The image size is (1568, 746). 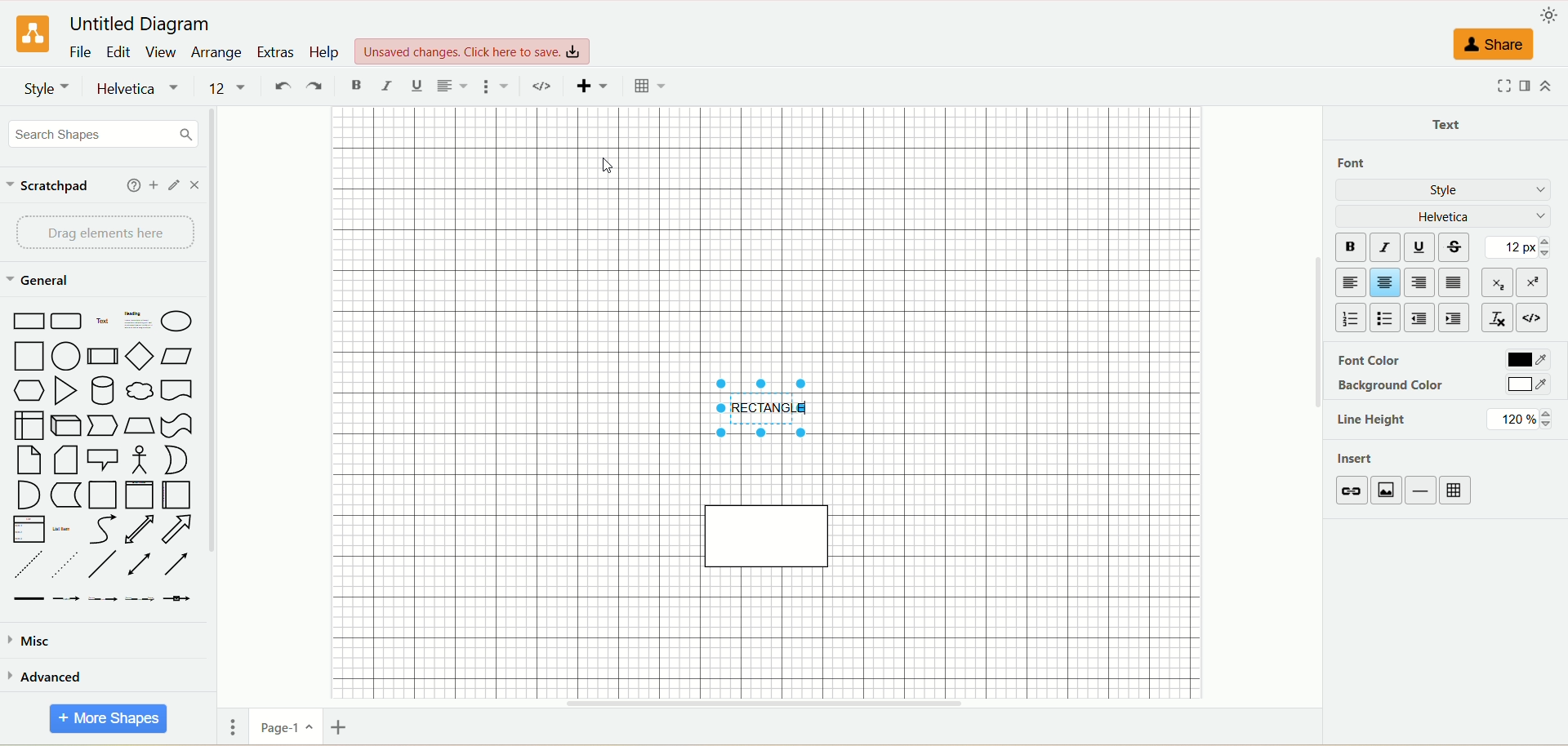 I want to click on tape, so click(x=178, y=425).